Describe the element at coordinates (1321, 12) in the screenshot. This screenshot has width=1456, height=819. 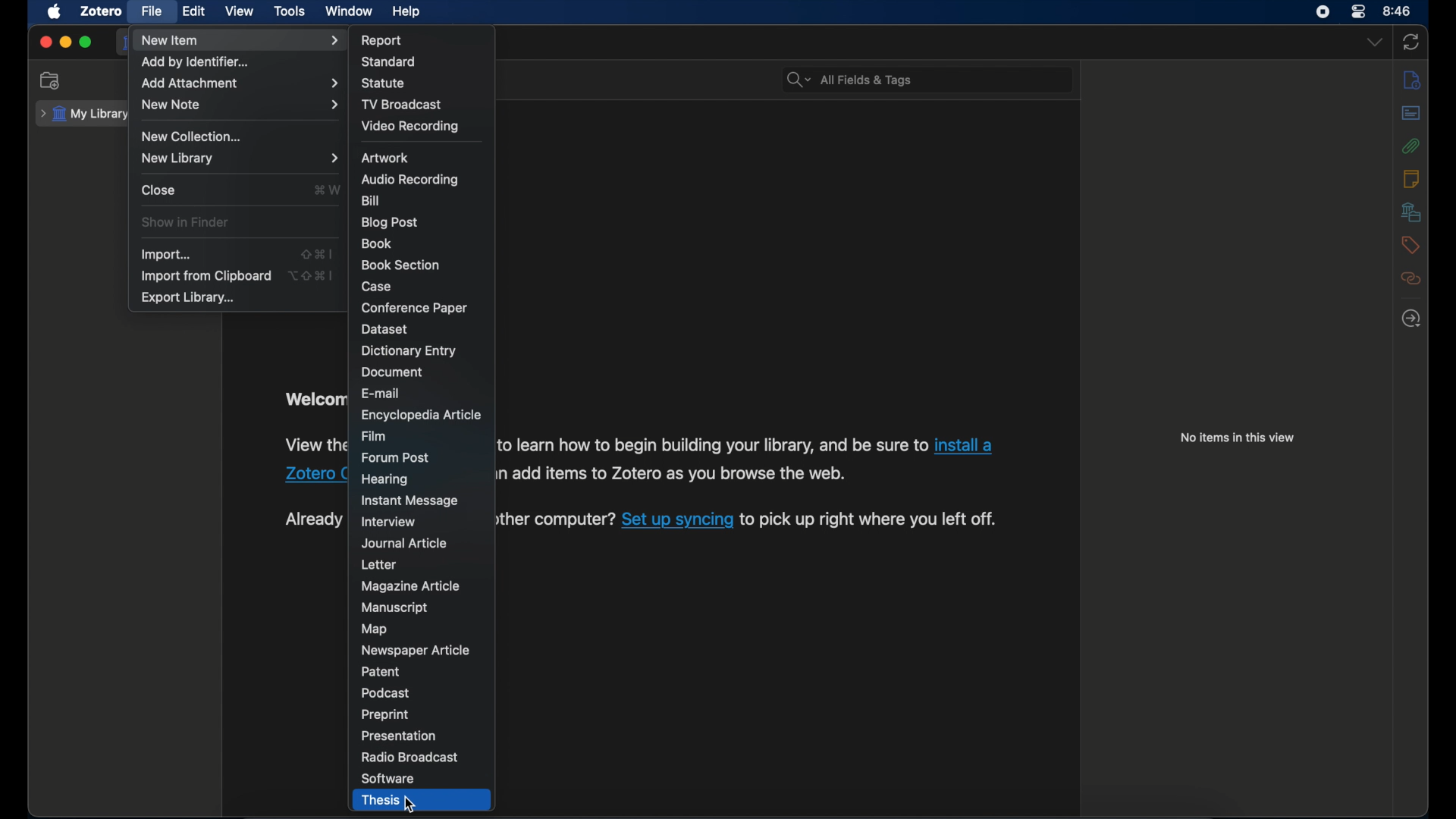
I see `screen recorder` at that location.